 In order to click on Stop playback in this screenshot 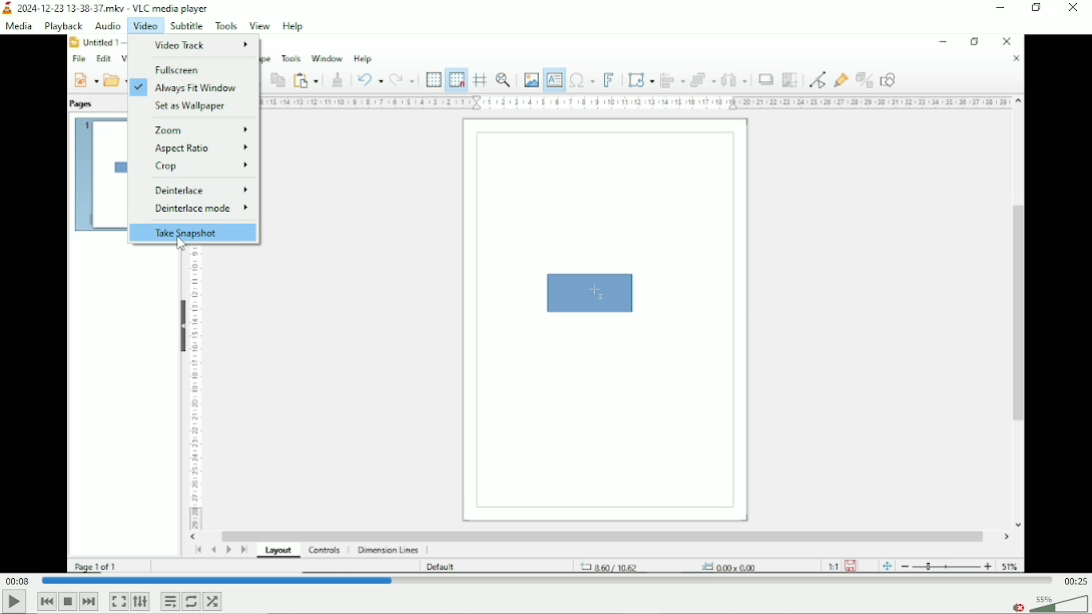, I will do `click(69, 602)`.